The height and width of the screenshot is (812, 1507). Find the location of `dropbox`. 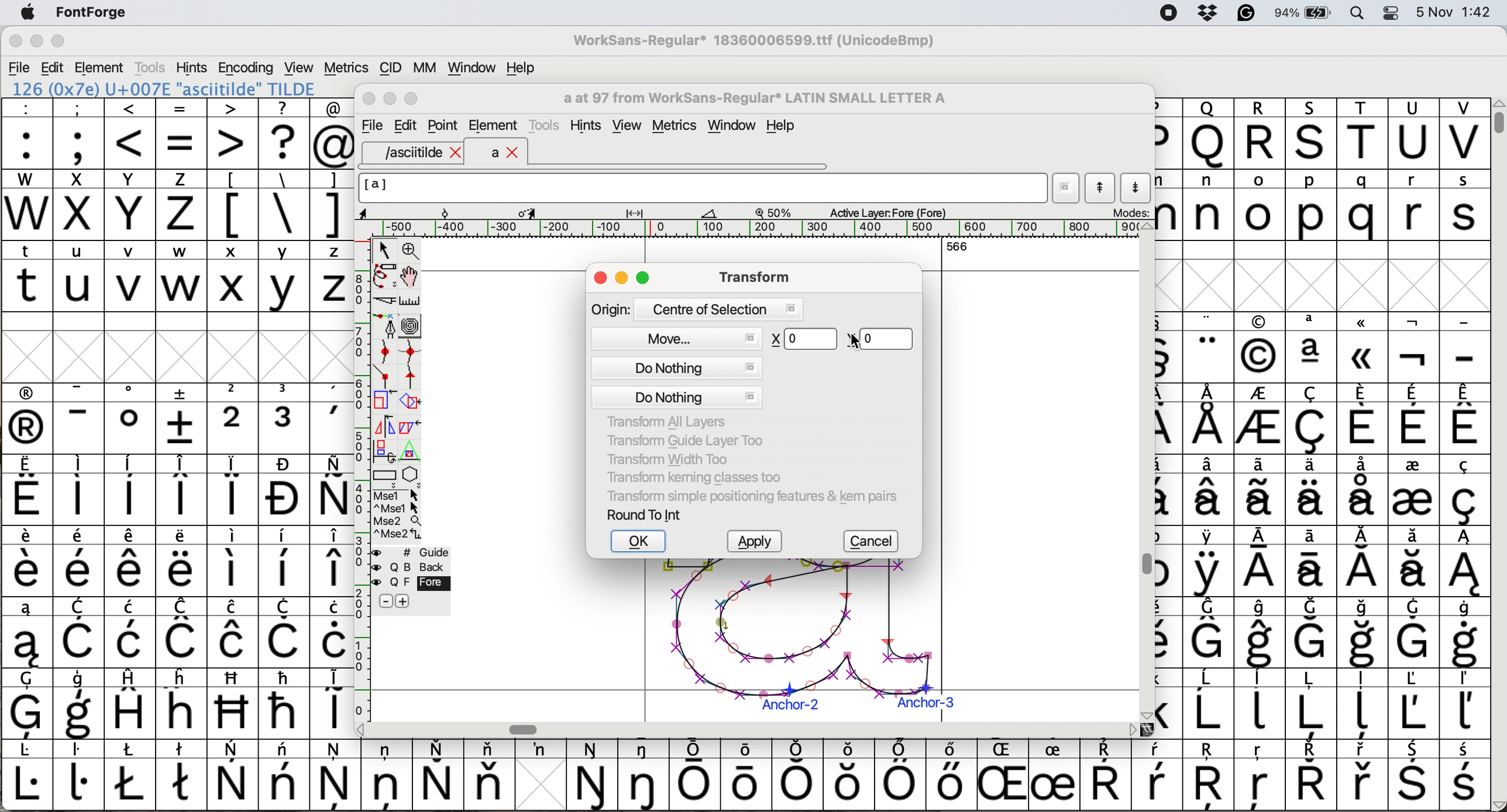

dropbox is located at coordinates (1204, 13).